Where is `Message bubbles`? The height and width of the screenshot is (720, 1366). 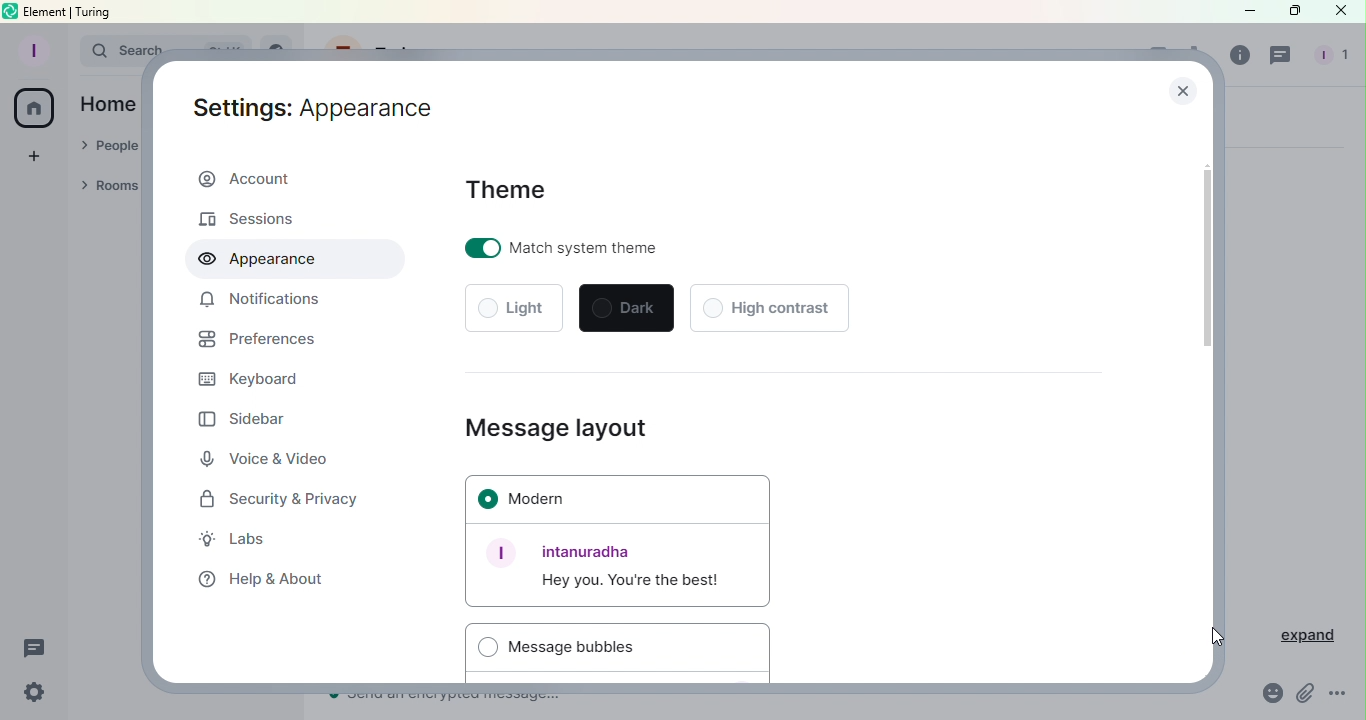
Message bubbles is located at coordinates (618, 647).